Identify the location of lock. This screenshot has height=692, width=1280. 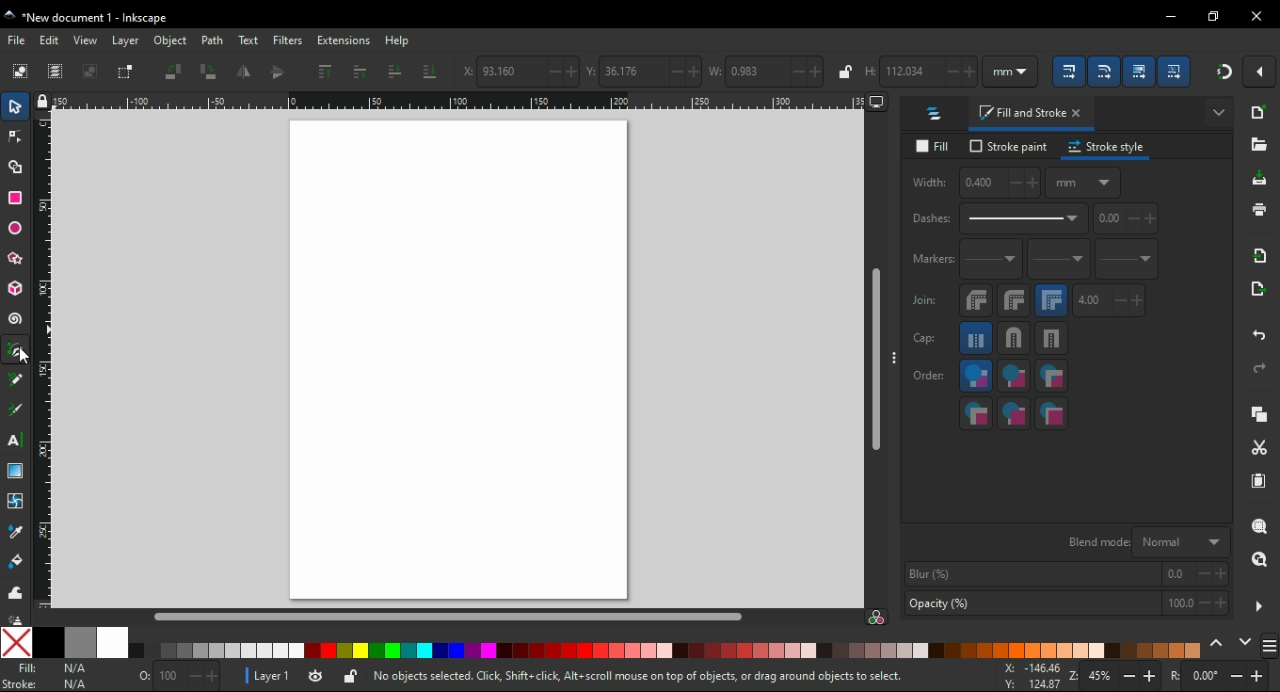
(844, 72).